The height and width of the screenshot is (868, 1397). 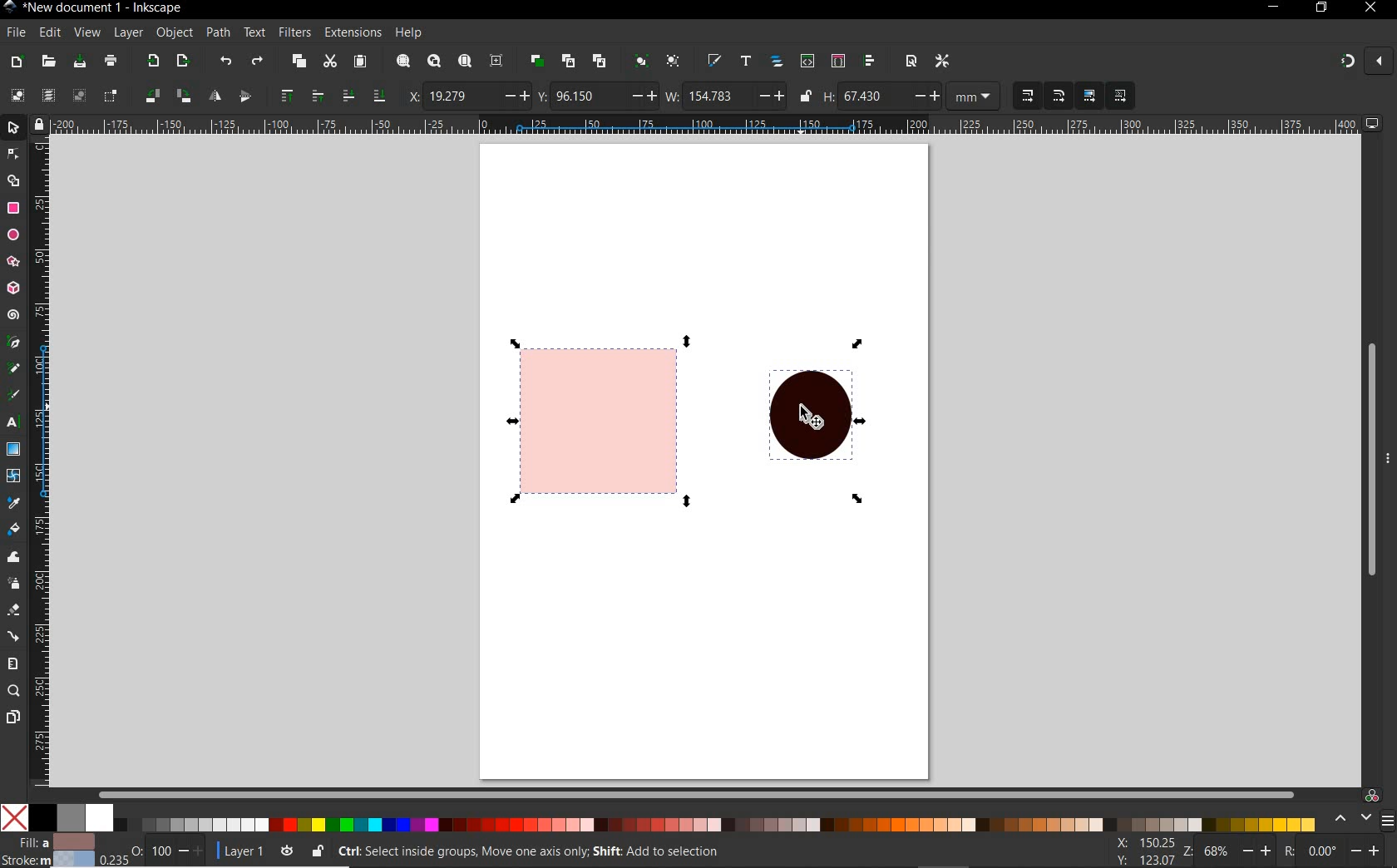 What do you see at coordinates (45, 94) in the screenshot?
I see `select all in all layers` at bounding box center [45, 94].